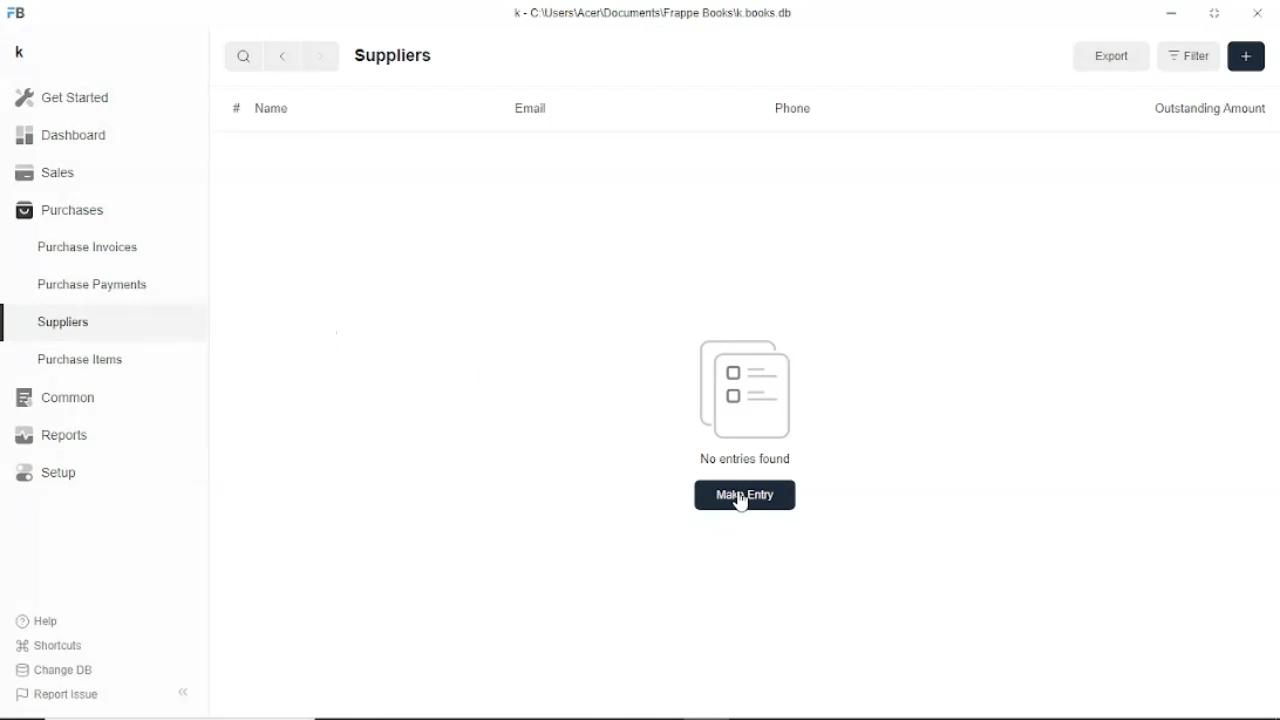  What do you see at coordinates (46, 473) in the screenshot?
I see `Setup` at bounding box center [46, 473].